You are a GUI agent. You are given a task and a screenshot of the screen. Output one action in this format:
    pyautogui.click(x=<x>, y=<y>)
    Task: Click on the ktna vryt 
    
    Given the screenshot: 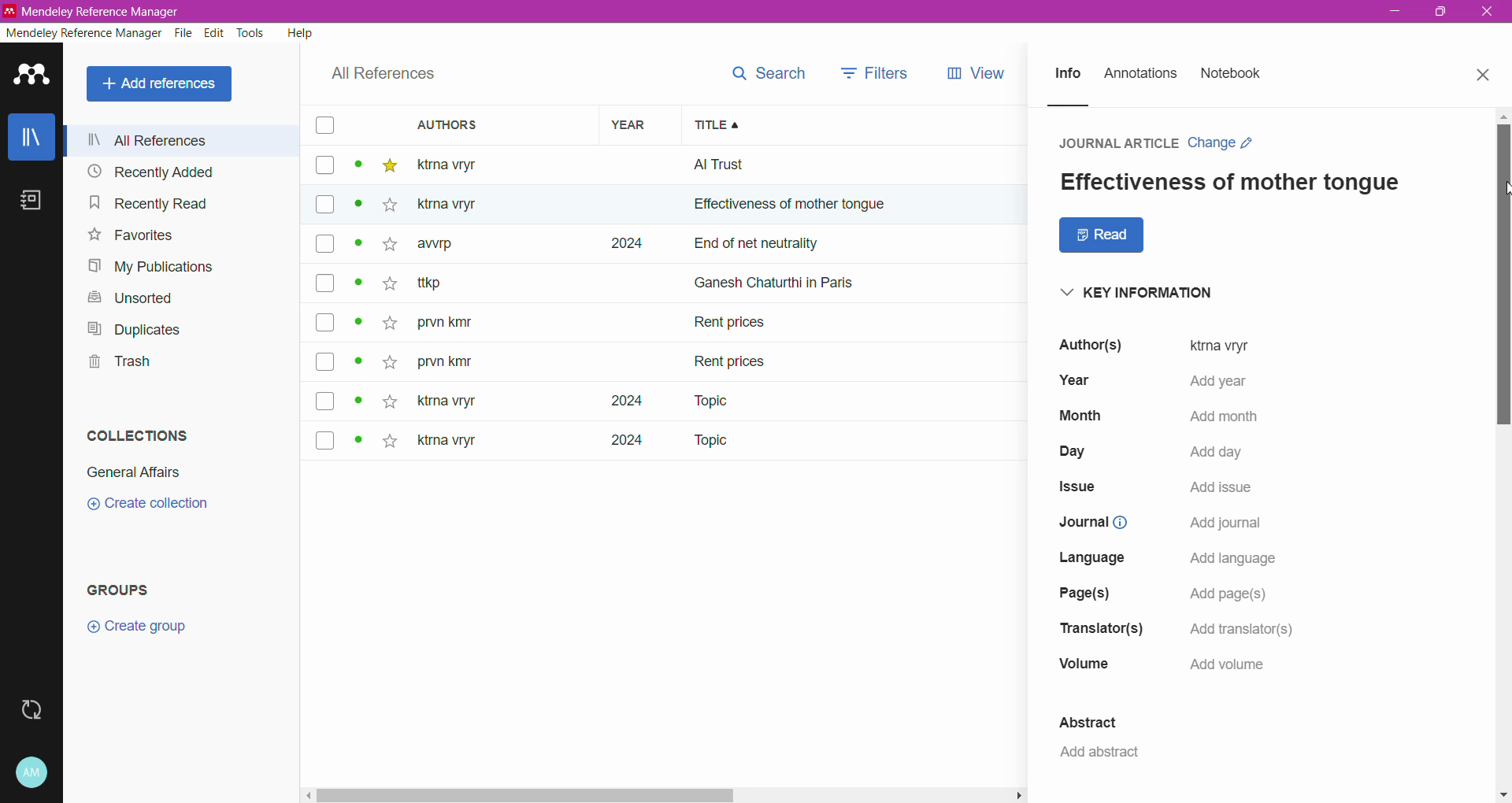 What is the action you would take?
    pyautogui.click(x=443, y=402)
    